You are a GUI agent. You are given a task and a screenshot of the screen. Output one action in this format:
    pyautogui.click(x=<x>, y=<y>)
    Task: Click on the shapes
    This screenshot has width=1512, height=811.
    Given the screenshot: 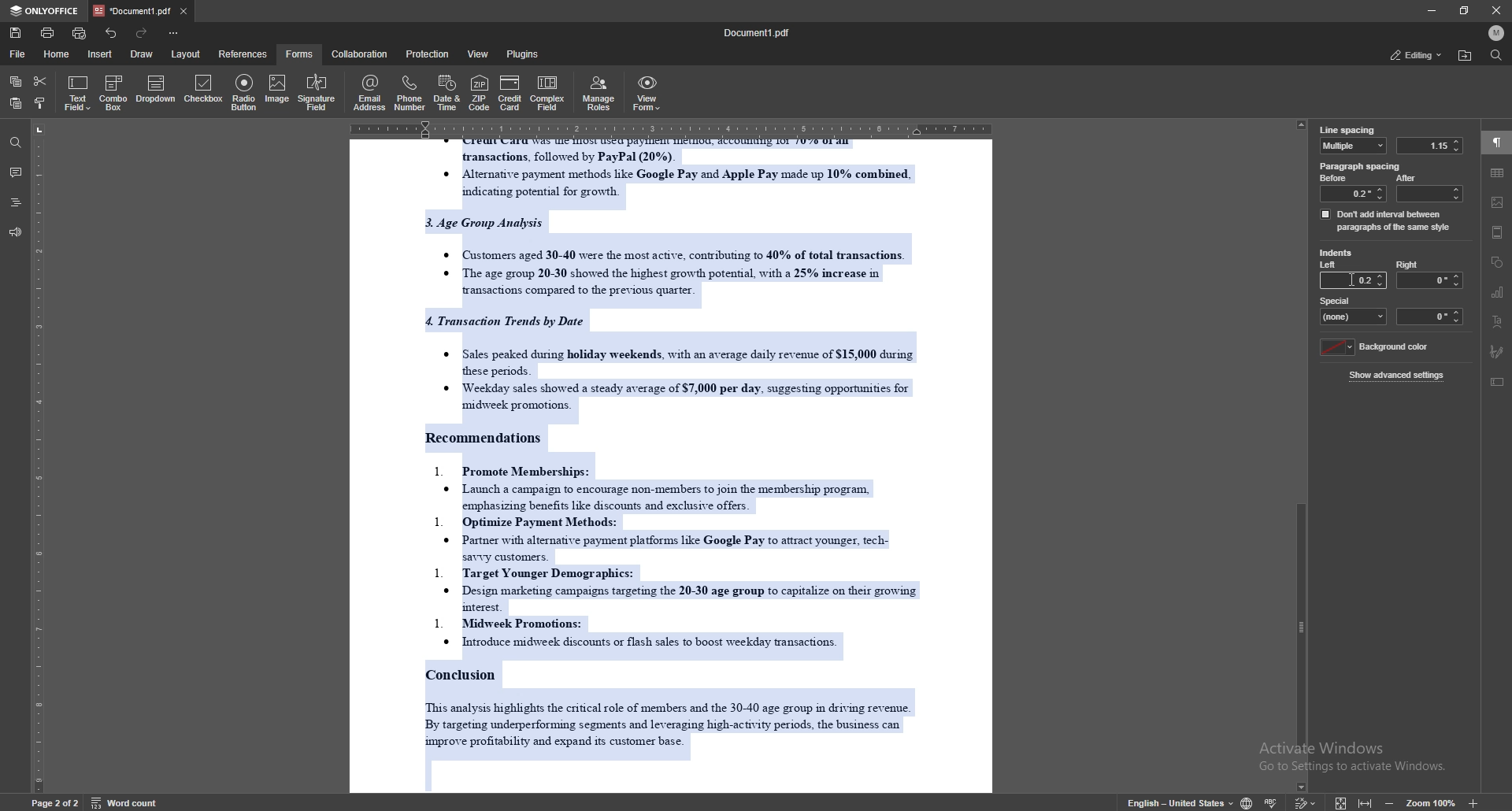 What is the action you would take?
    pyautogui.click(x=1498, y=262)
    